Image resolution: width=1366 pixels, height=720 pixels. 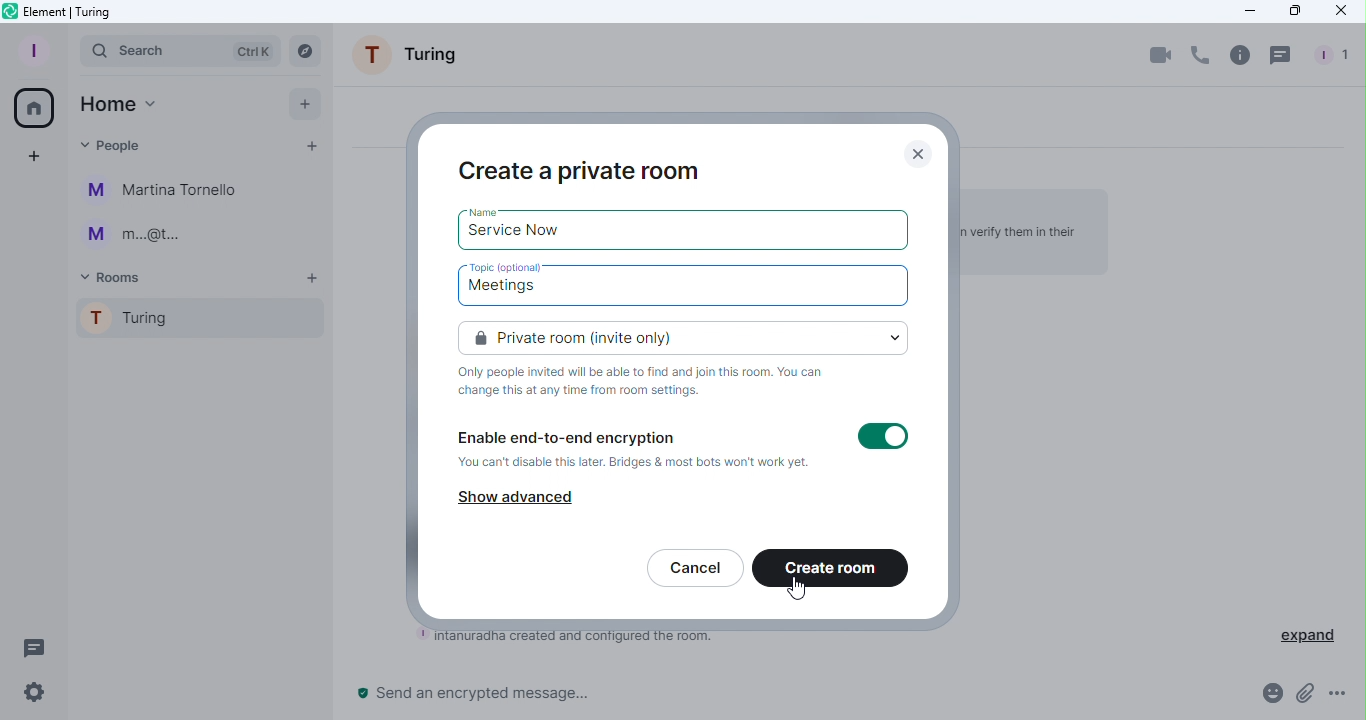 What do you see at coordinates (492, 211) in the screenshot?
I see `Name` at bounding box center [492, 211].